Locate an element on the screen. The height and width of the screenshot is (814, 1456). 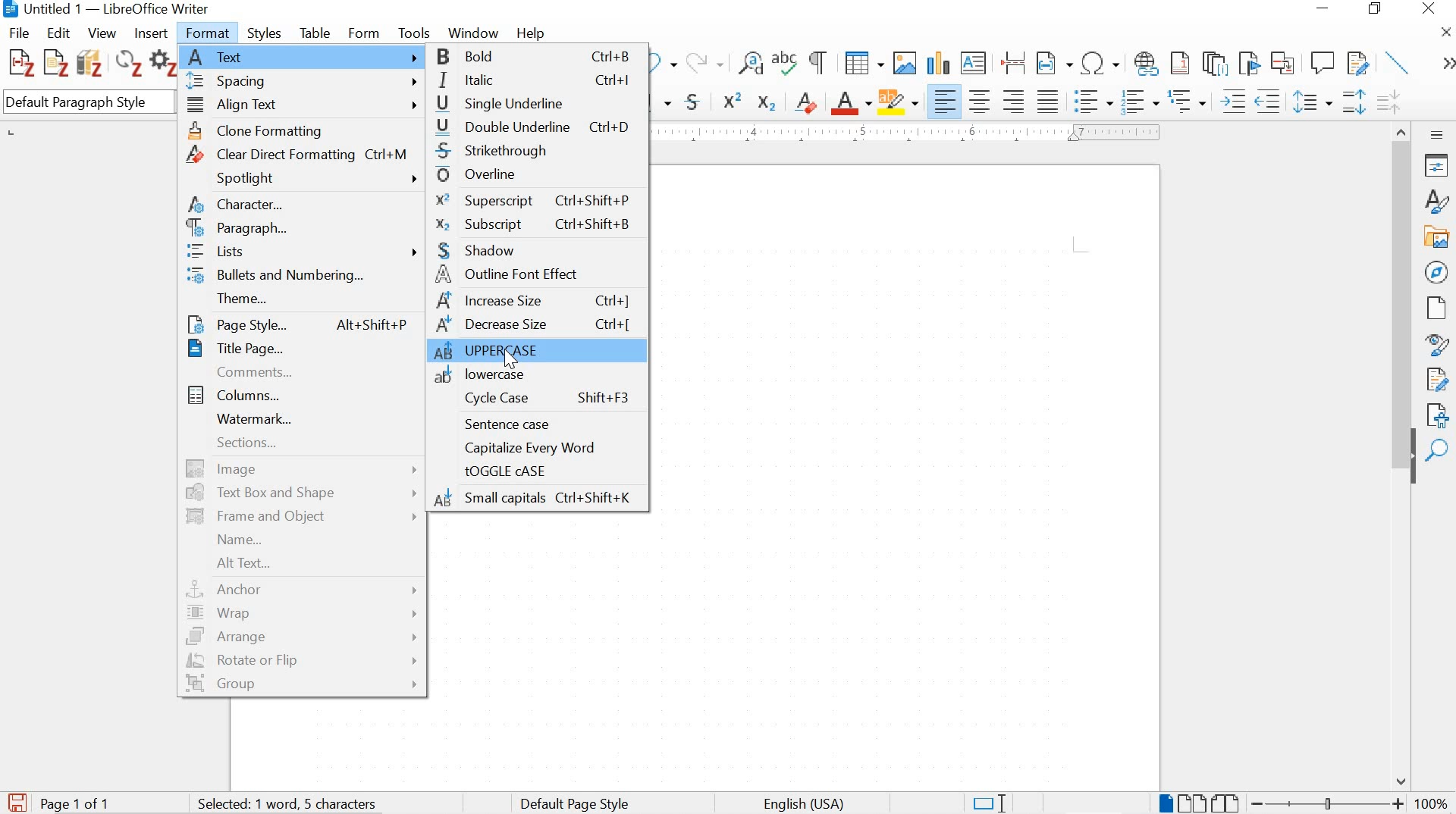
columns is located at coordinates (300, 394).